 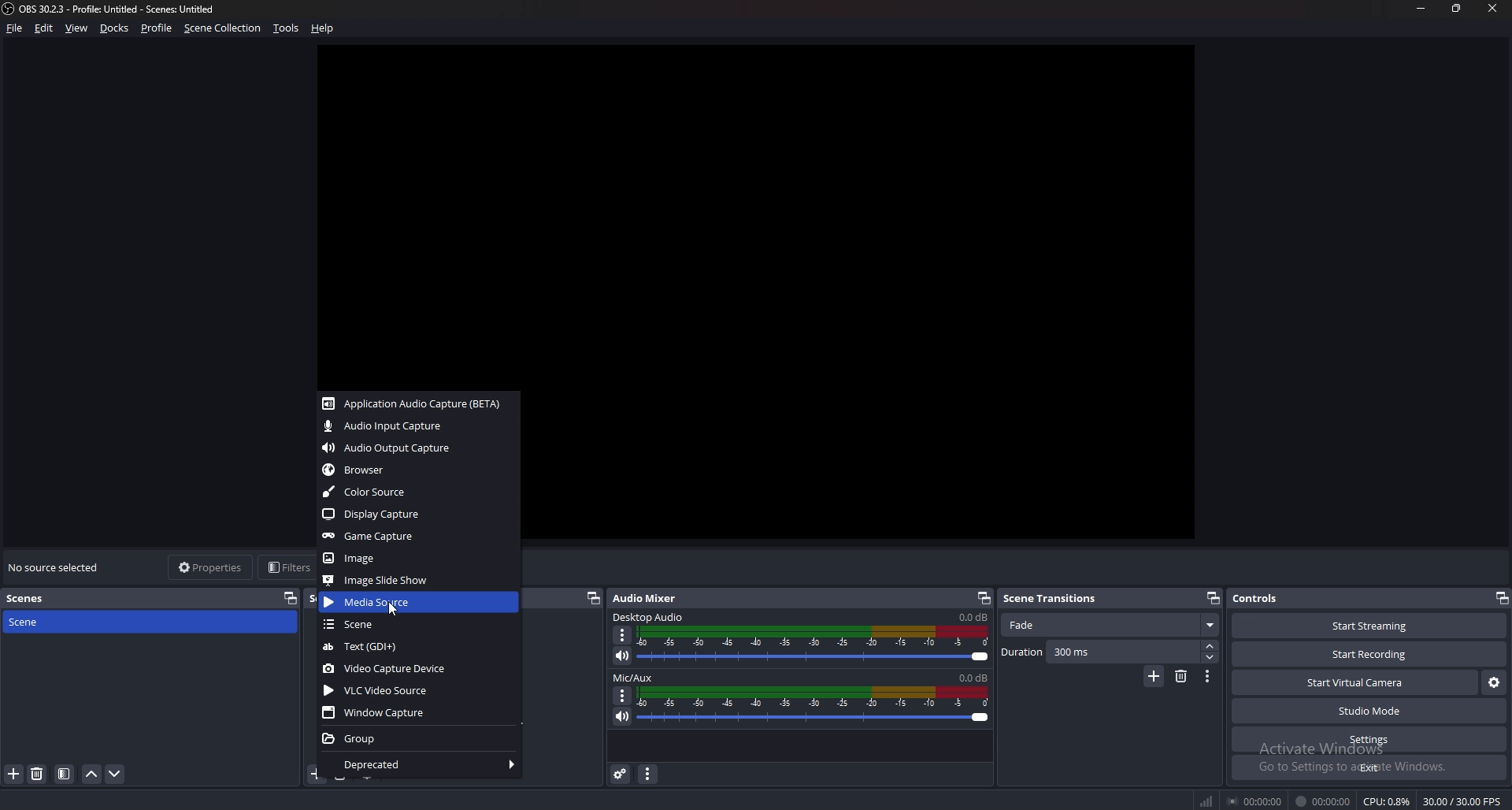 What do you see at coordinates (420, 447) in the screenshot?
I see `Audio output capture` at bounding box center [420, 447].